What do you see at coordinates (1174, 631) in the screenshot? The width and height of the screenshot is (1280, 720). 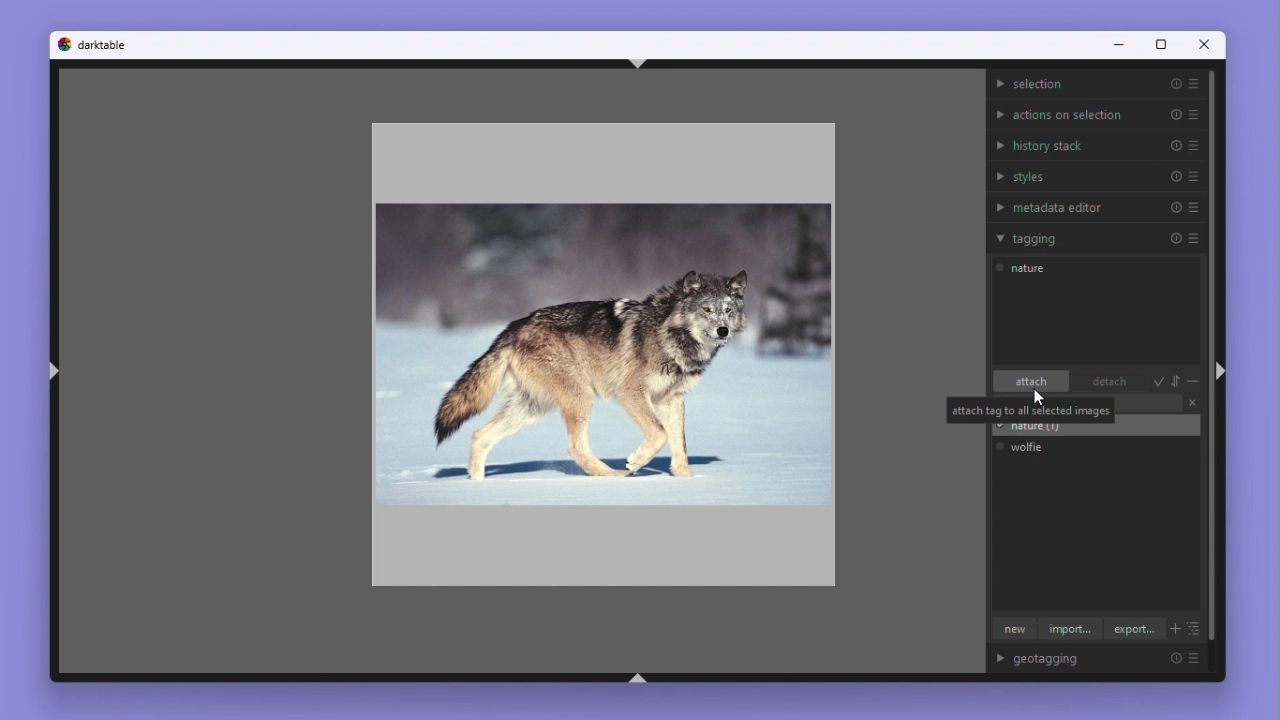 I see `add` at bounding box center [1174, 631].